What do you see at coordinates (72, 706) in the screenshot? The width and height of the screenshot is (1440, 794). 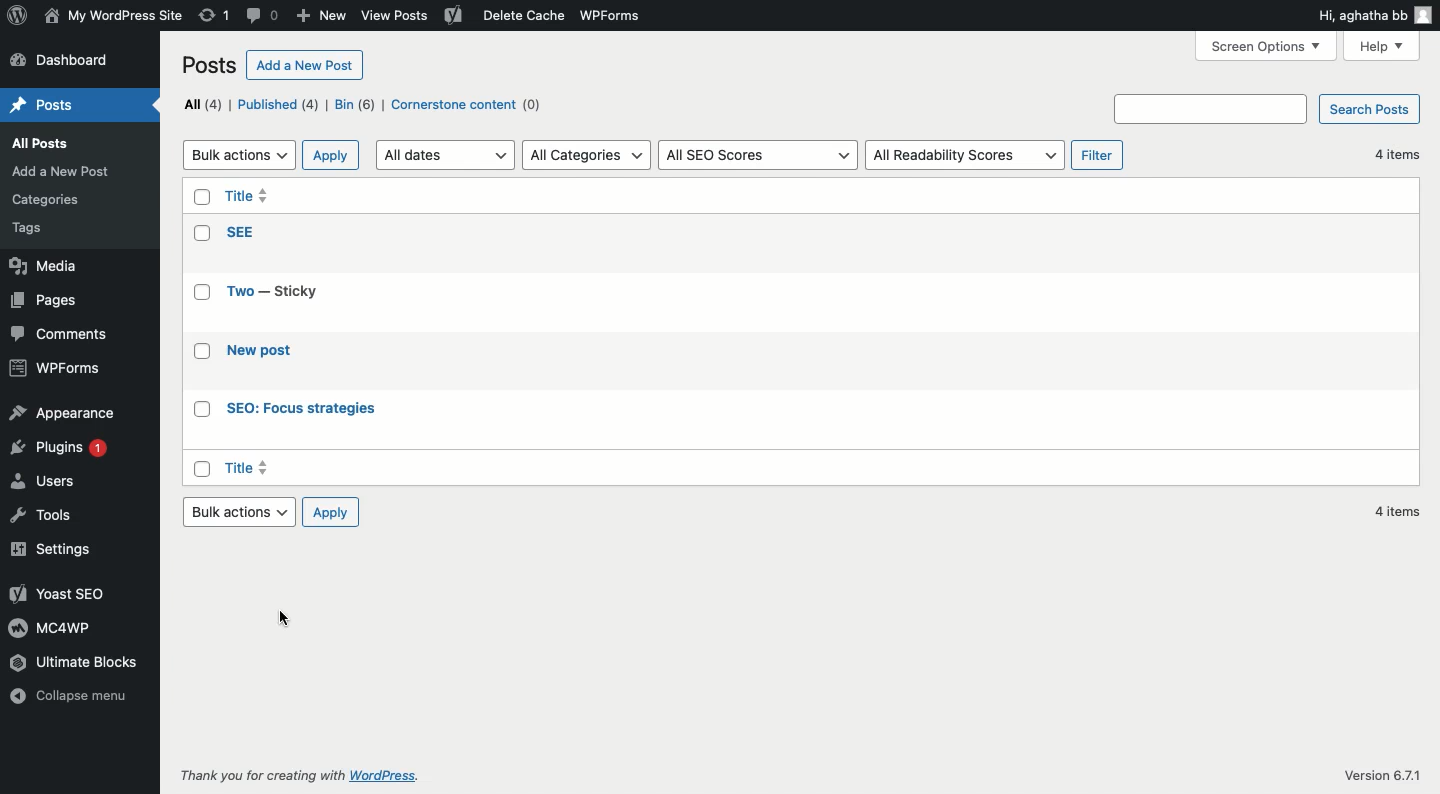 I see `Collapse menu` at bounding box center [72, 706].